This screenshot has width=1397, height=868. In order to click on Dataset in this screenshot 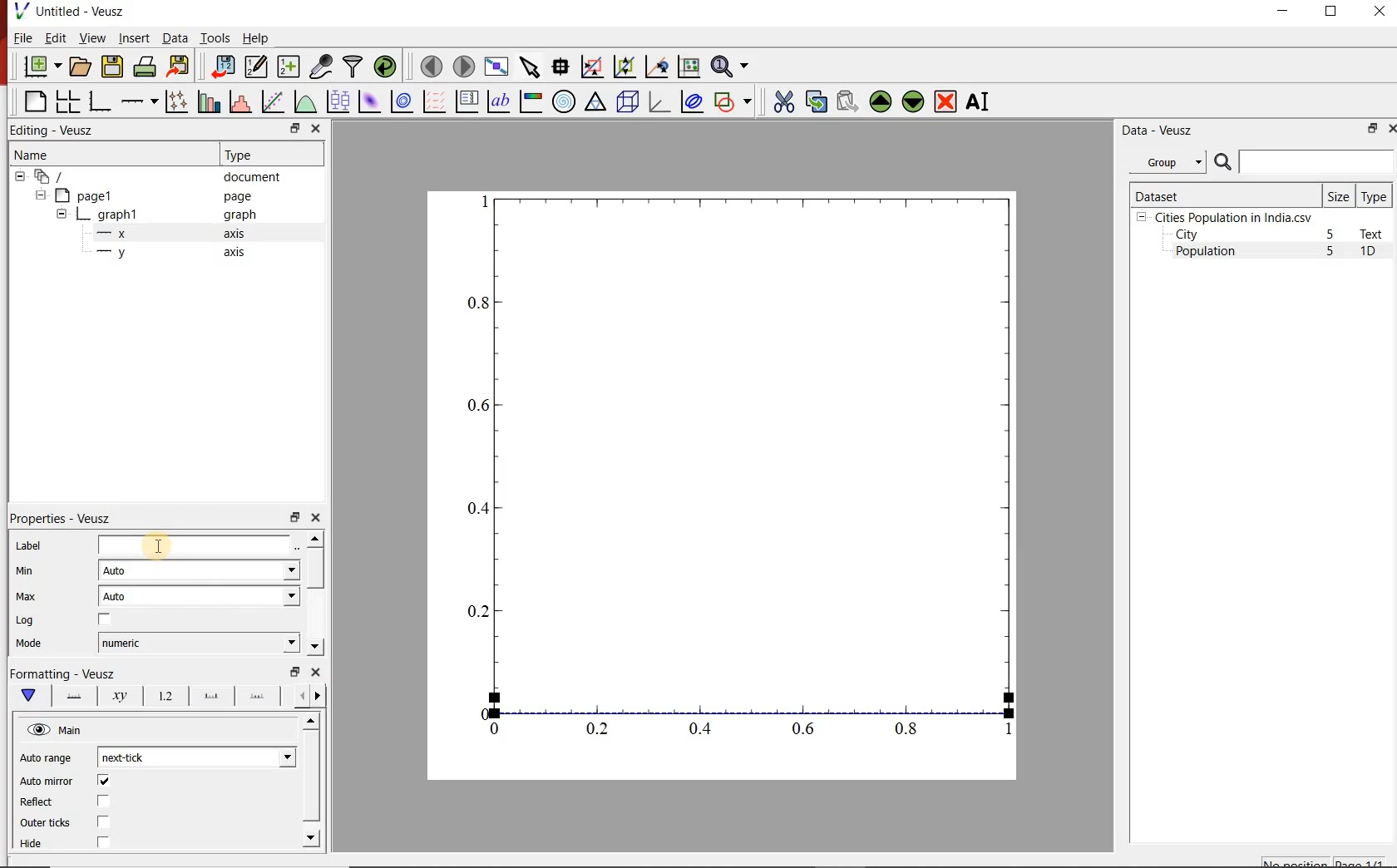, I will do `click(1223, 195)`.